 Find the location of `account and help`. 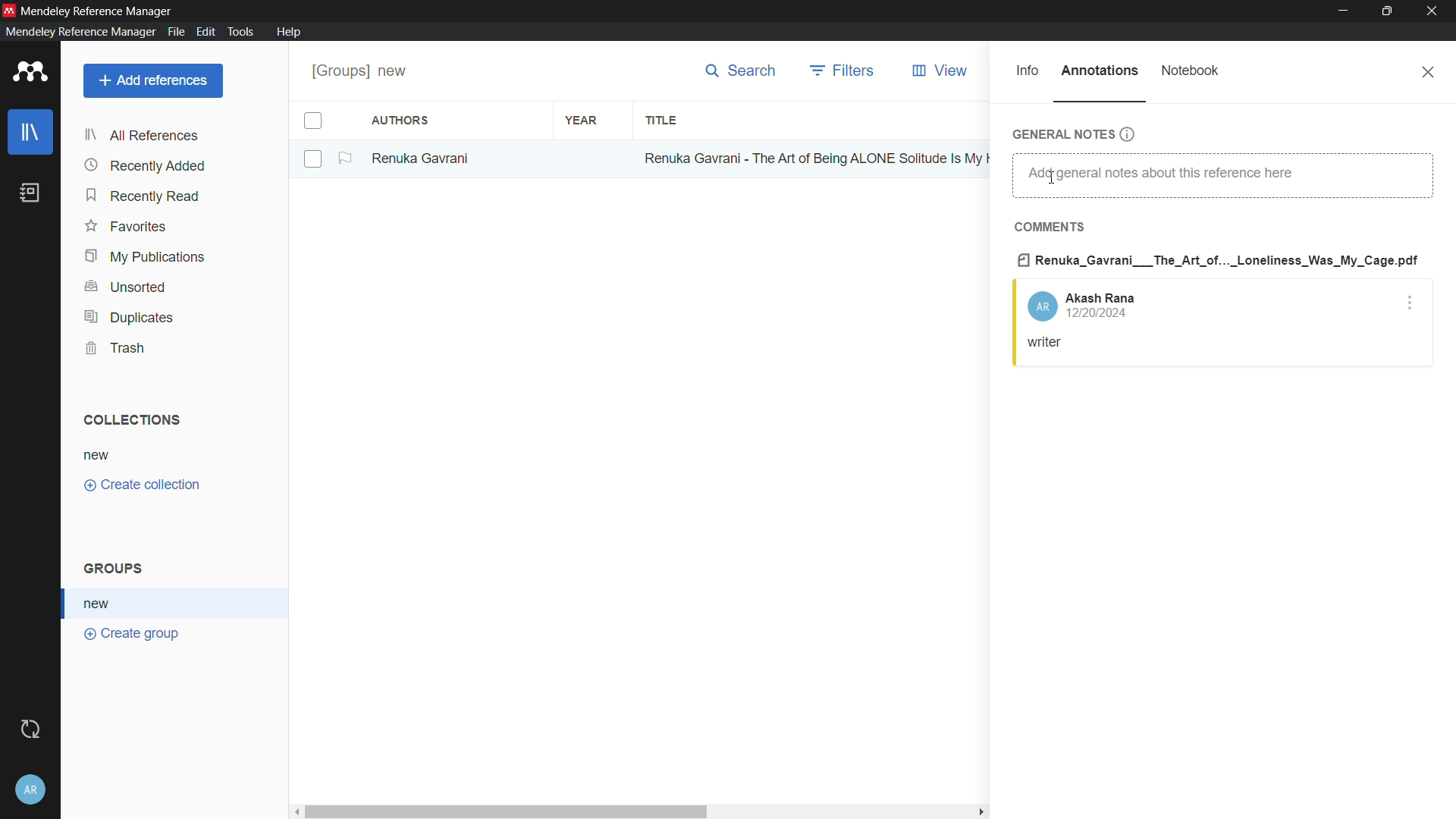

account and help is located at coordinates (32, 789).